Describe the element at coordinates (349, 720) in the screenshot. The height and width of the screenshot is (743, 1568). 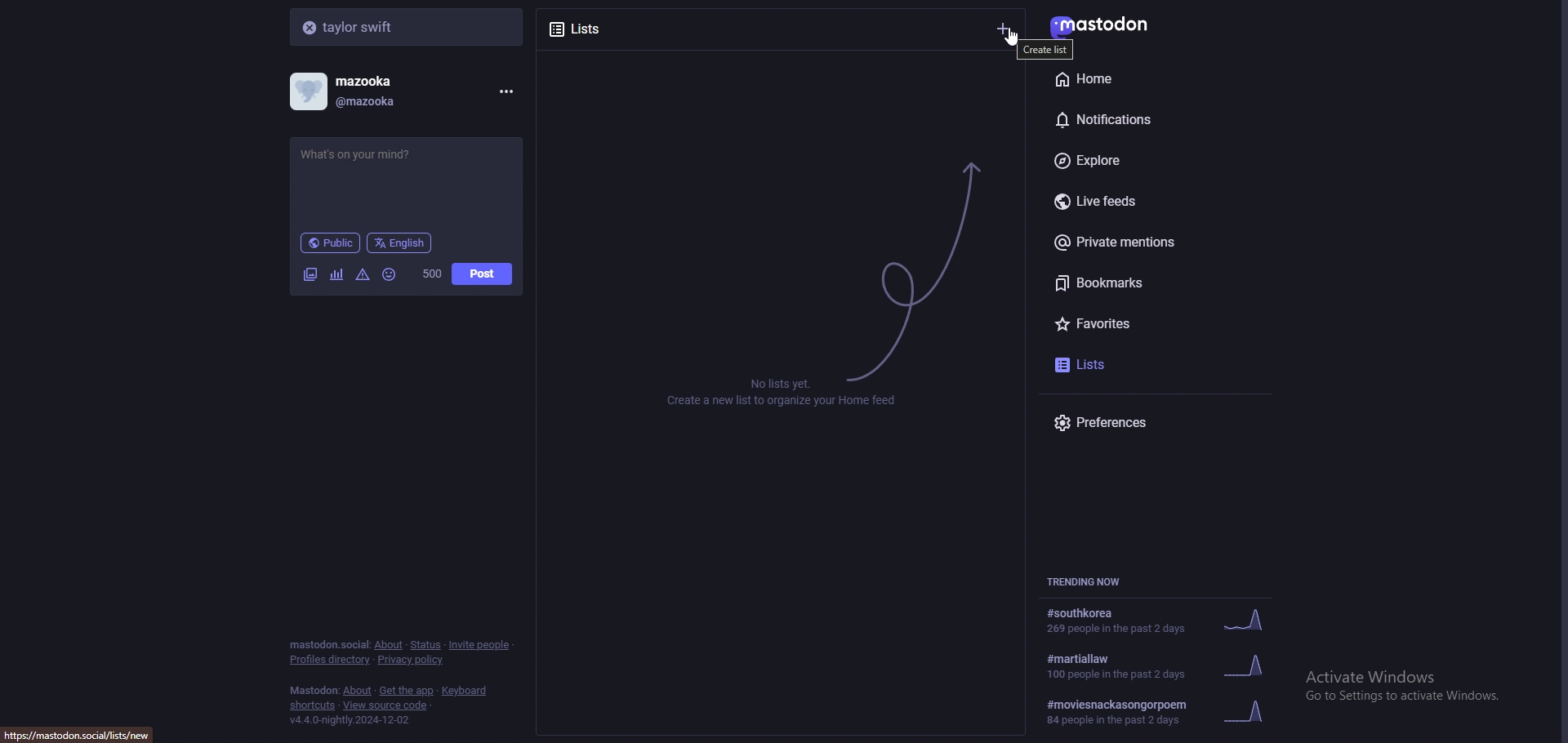
I see `version` at that location.